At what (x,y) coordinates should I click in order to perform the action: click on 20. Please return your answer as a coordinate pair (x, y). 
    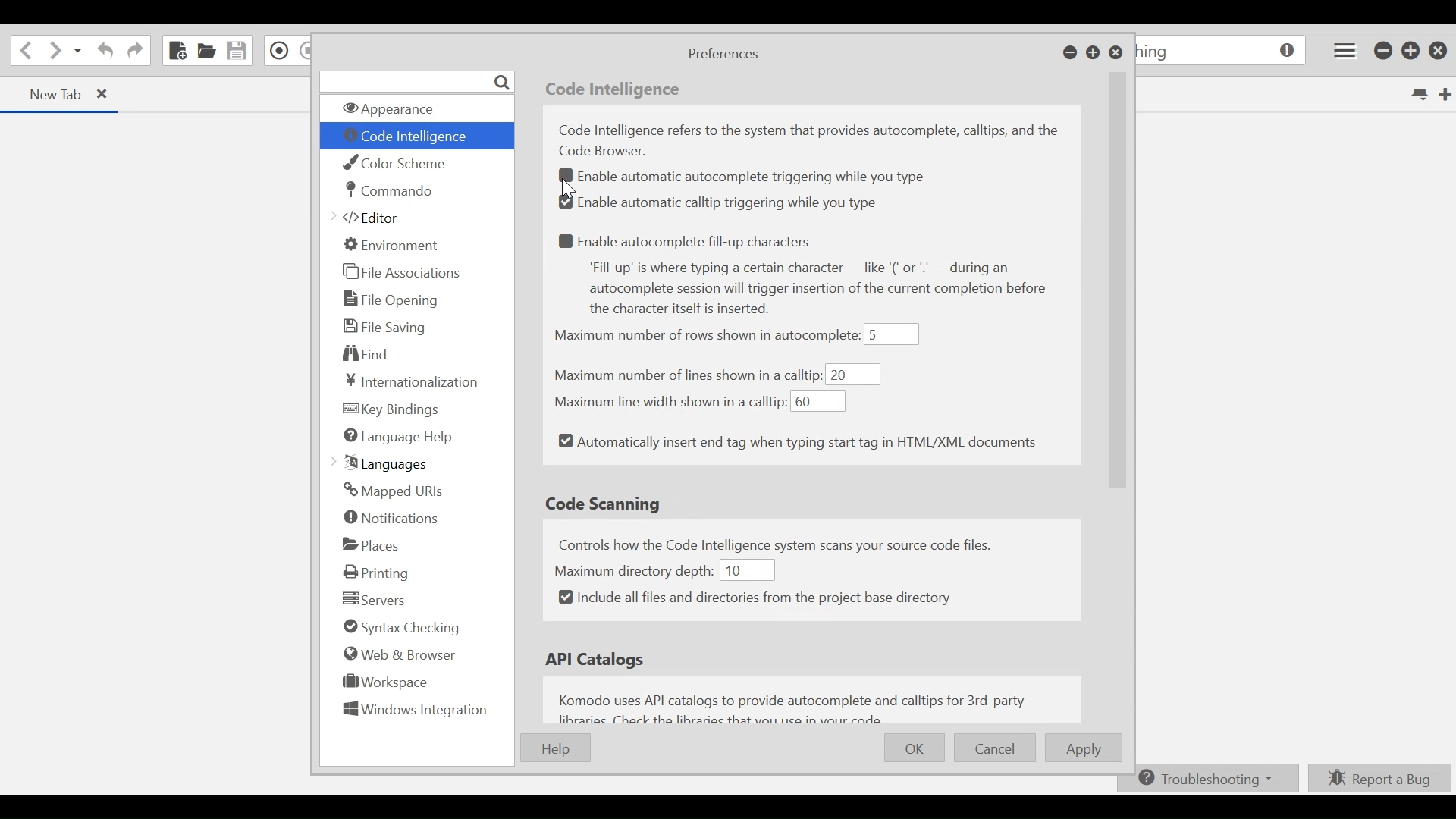
    Looking at the image, I should click on (853, 375).